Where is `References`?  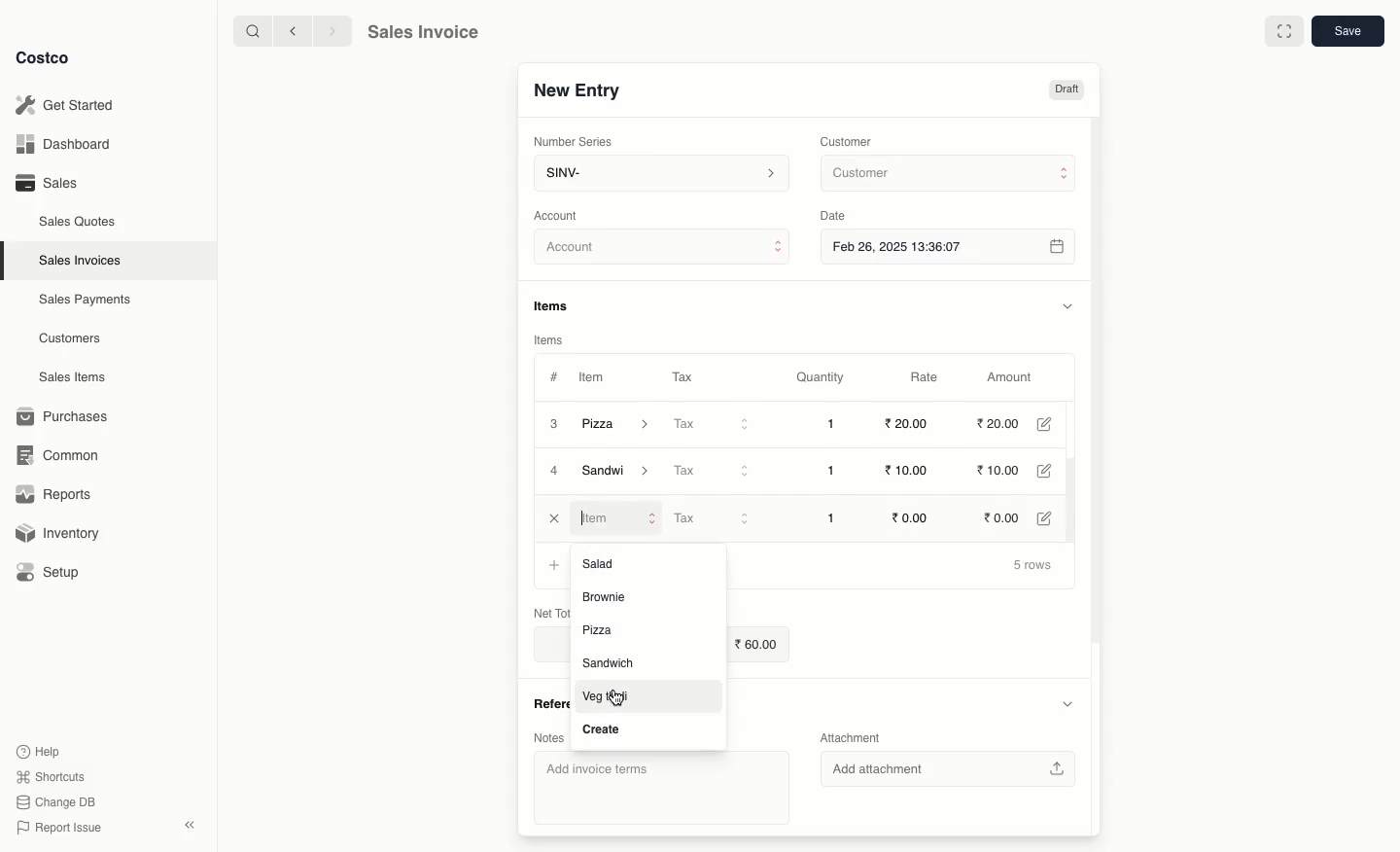 References is located at coordinates (544, 702).